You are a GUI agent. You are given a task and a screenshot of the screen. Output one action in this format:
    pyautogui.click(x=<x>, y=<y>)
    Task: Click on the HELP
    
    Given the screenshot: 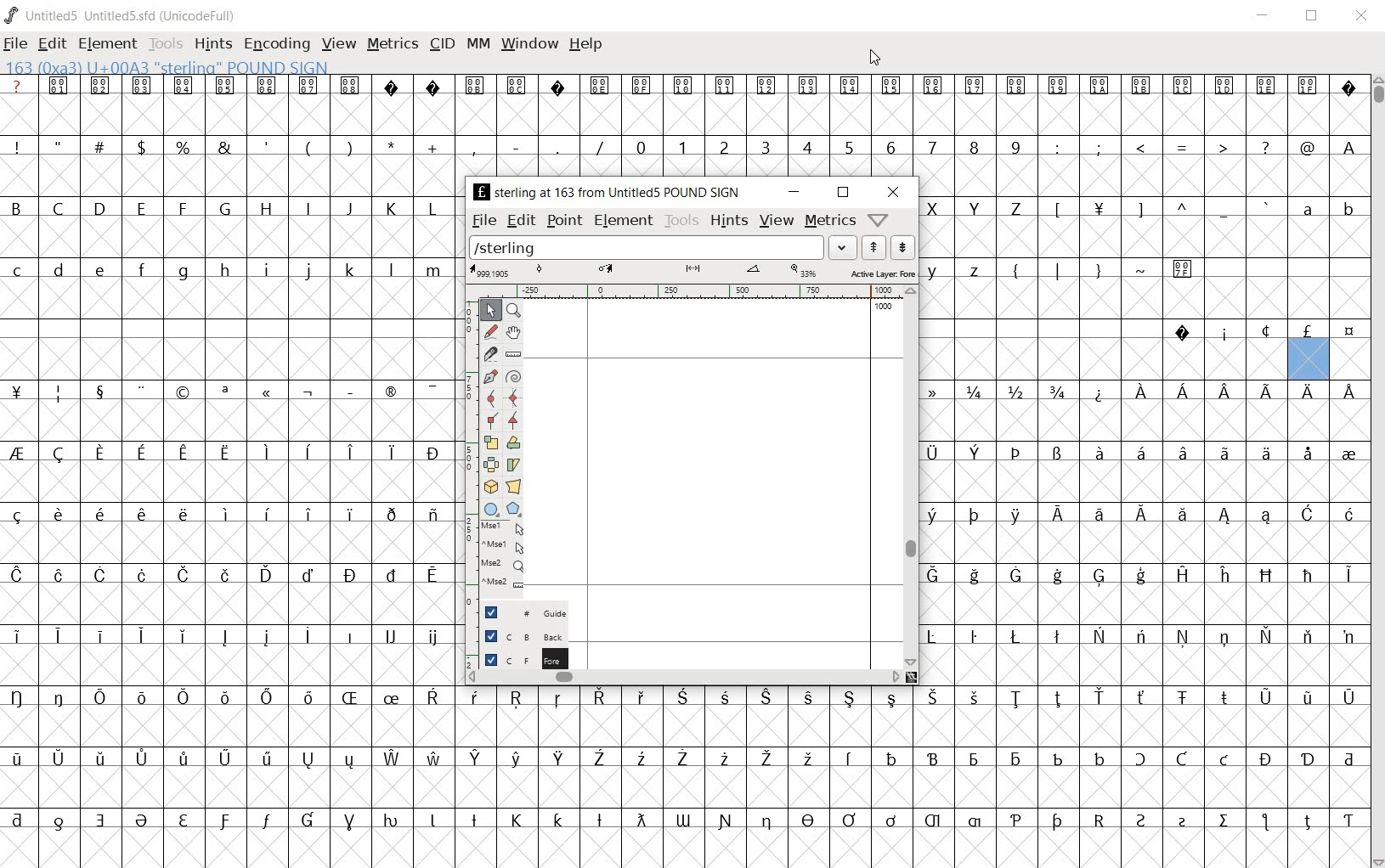 What is the action you would take?
    pyautogui.click(x=585, y=46)
    